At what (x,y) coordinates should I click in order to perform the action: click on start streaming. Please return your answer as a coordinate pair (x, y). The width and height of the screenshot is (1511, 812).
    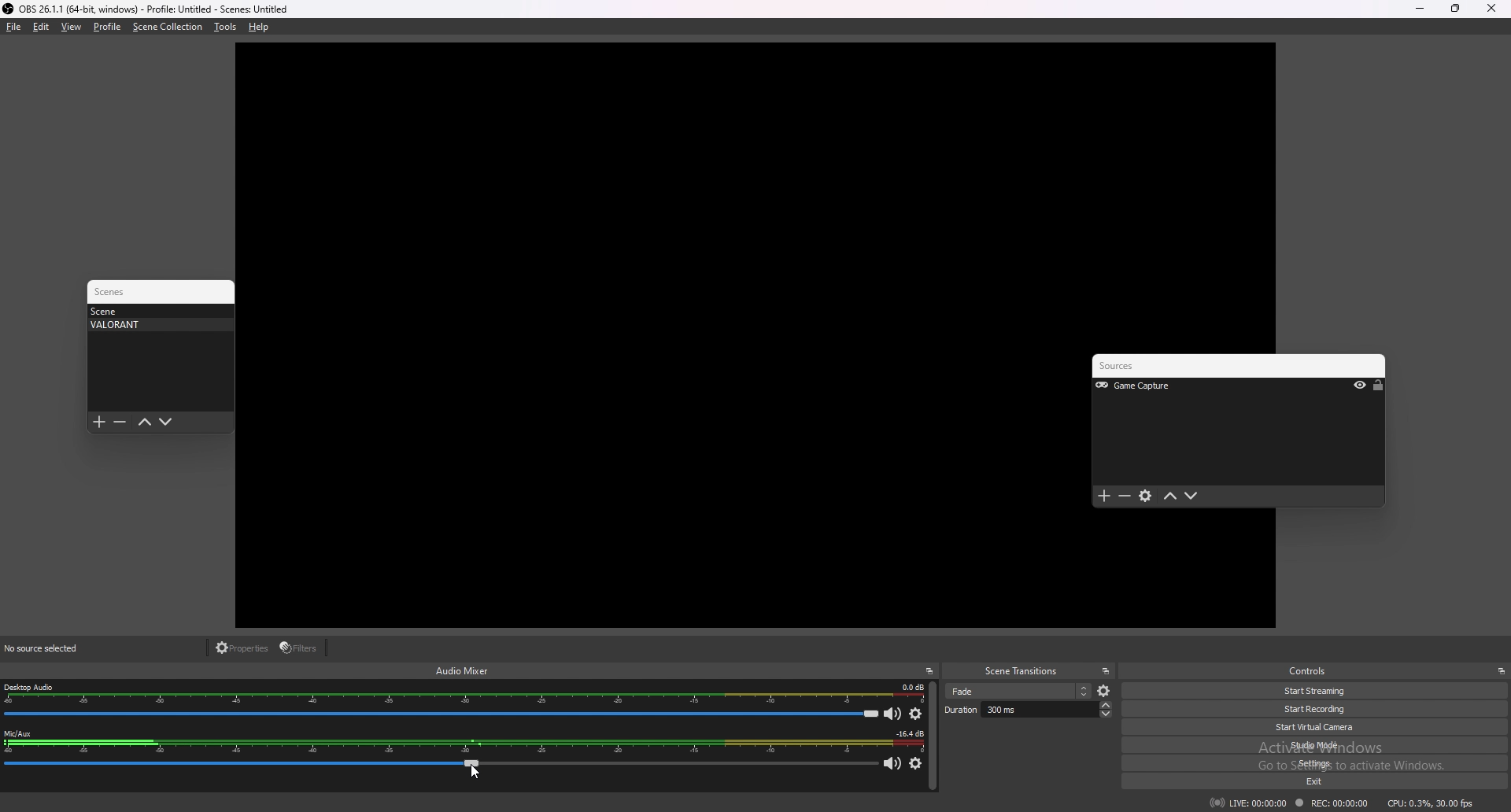
    Looking at the image, I should click on (1316, 692).